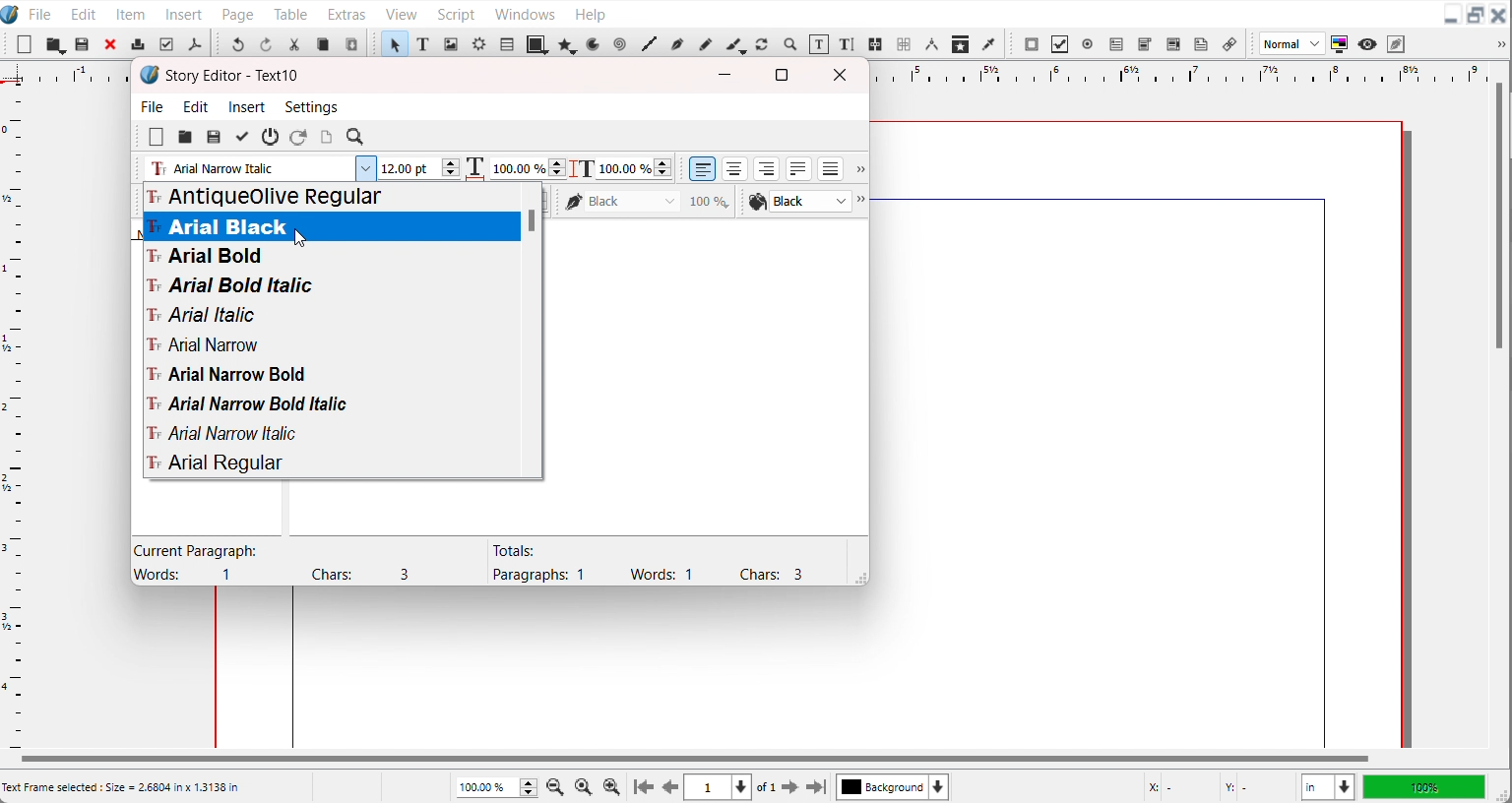 The height and width of the screenshot is (803, 1512). Describe the element at coordinates (648, 201) in the screenshot. I see `Black` at that location.